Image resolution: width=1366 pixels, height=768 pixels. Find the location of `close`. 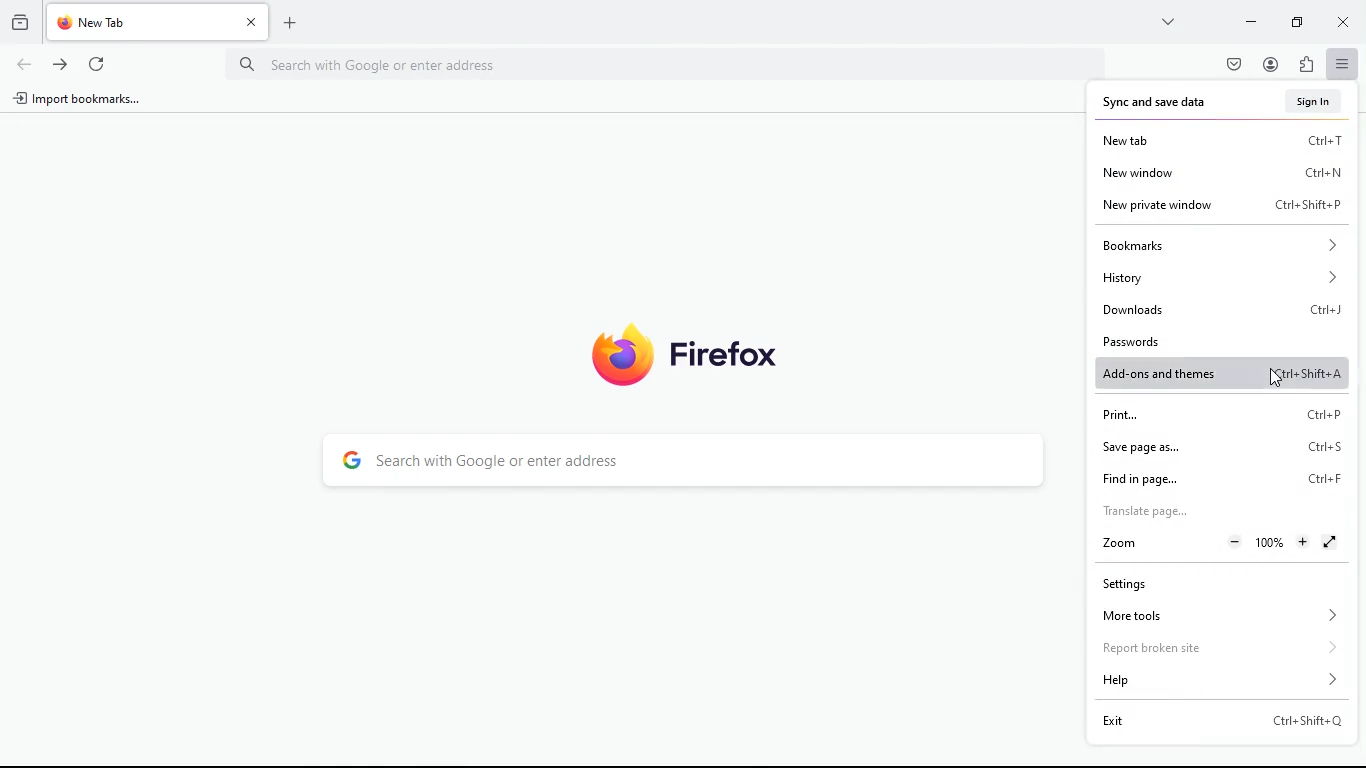

close is located at coordinates (1344, 22).